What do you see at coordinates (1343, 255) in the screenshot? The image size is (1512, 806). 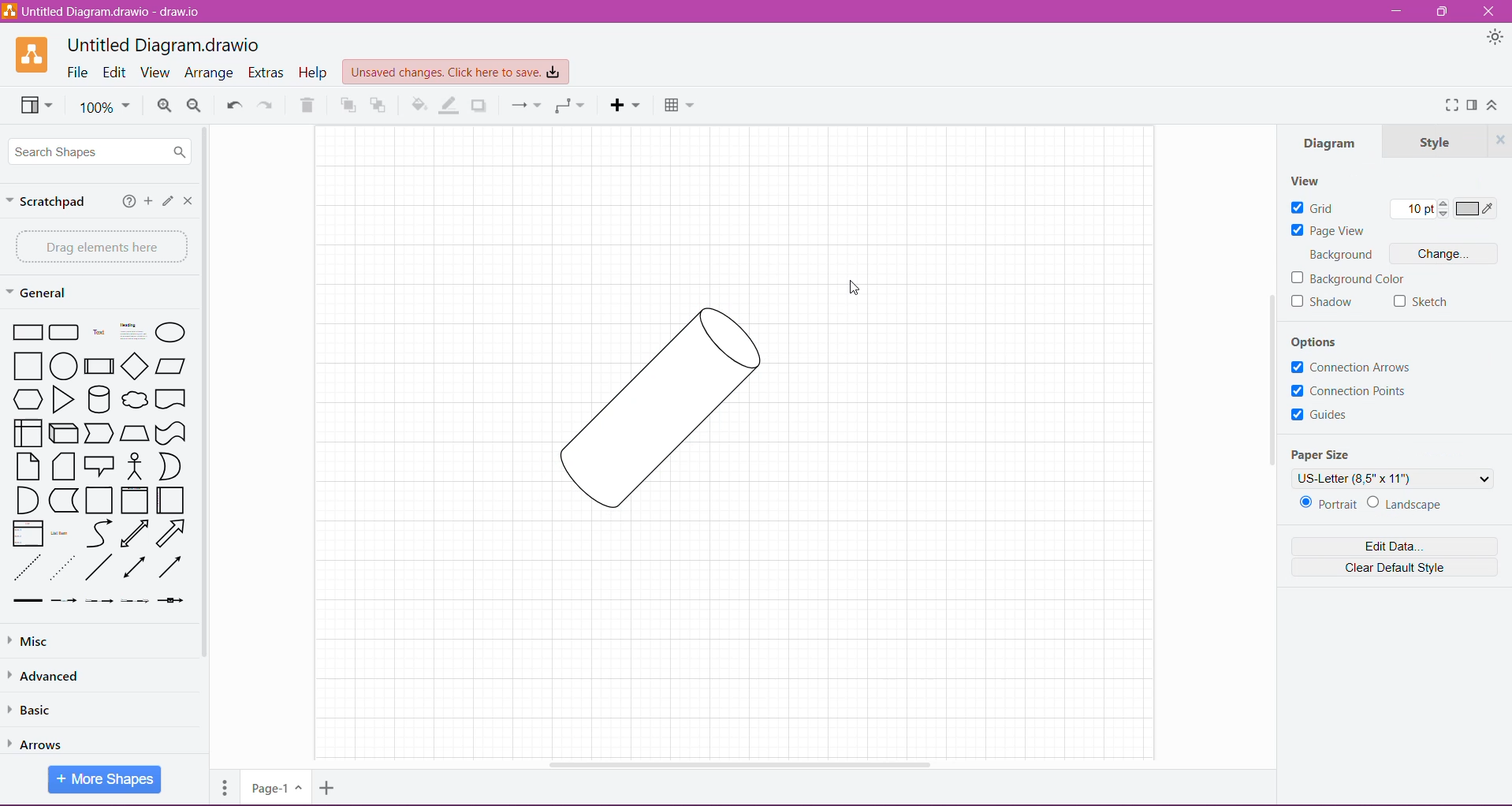 I see `Background` at bounding box center [1343, 255].